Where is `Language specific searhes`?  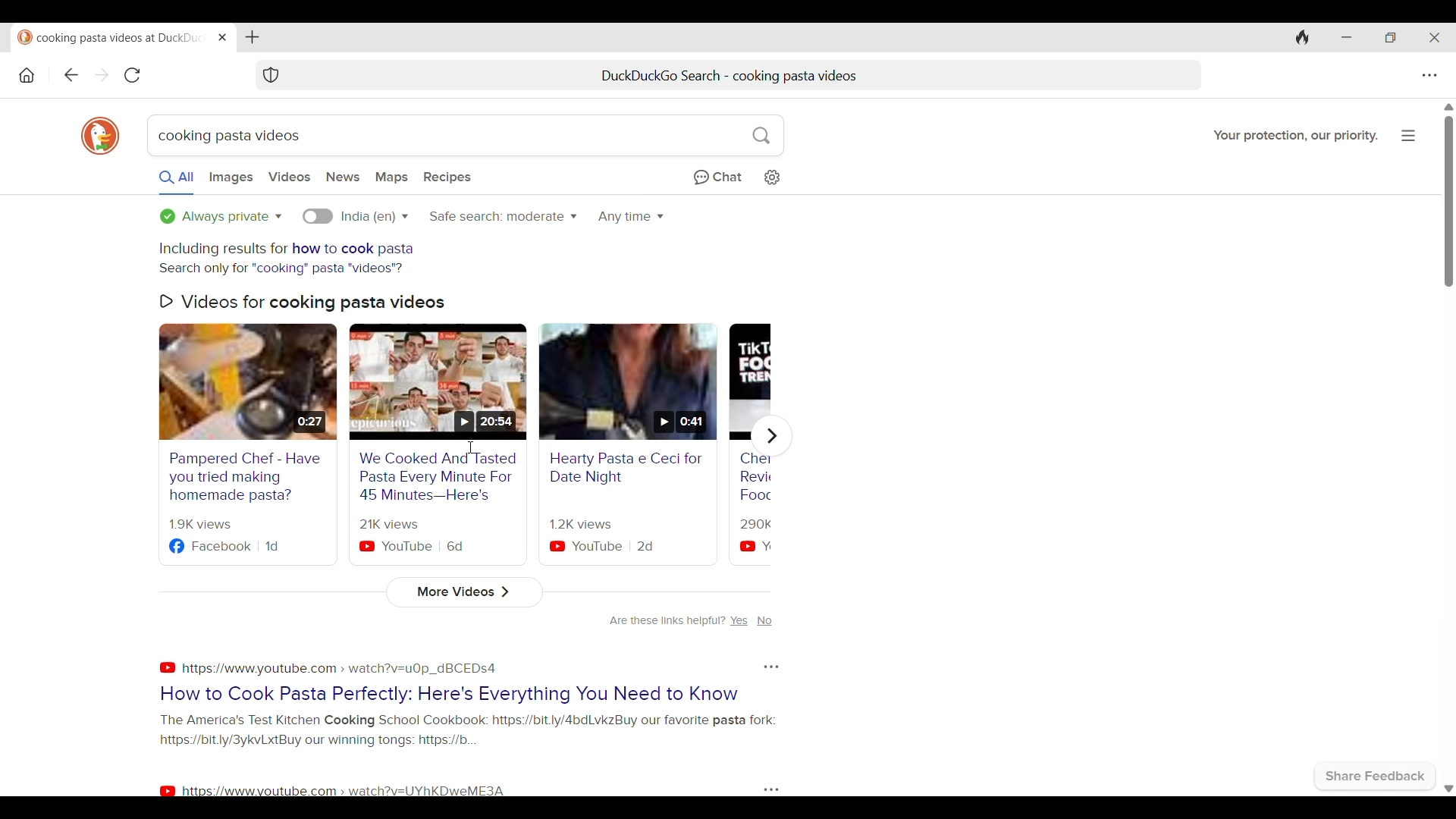
Language specific searhes is located at coordinates (318, 216).